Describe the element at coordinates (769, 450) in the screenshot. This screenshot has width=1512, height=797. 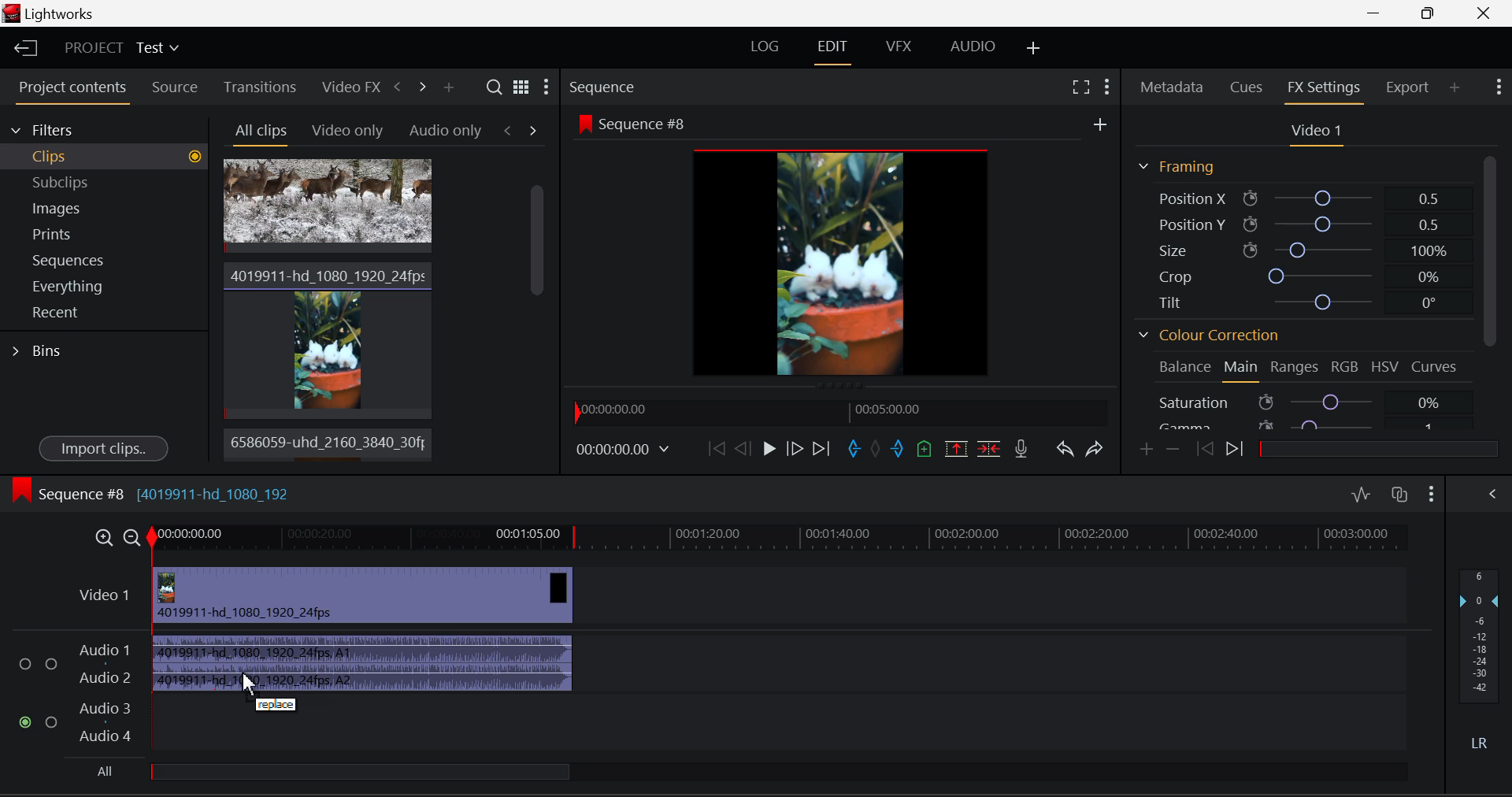
I see `Play` at that location.